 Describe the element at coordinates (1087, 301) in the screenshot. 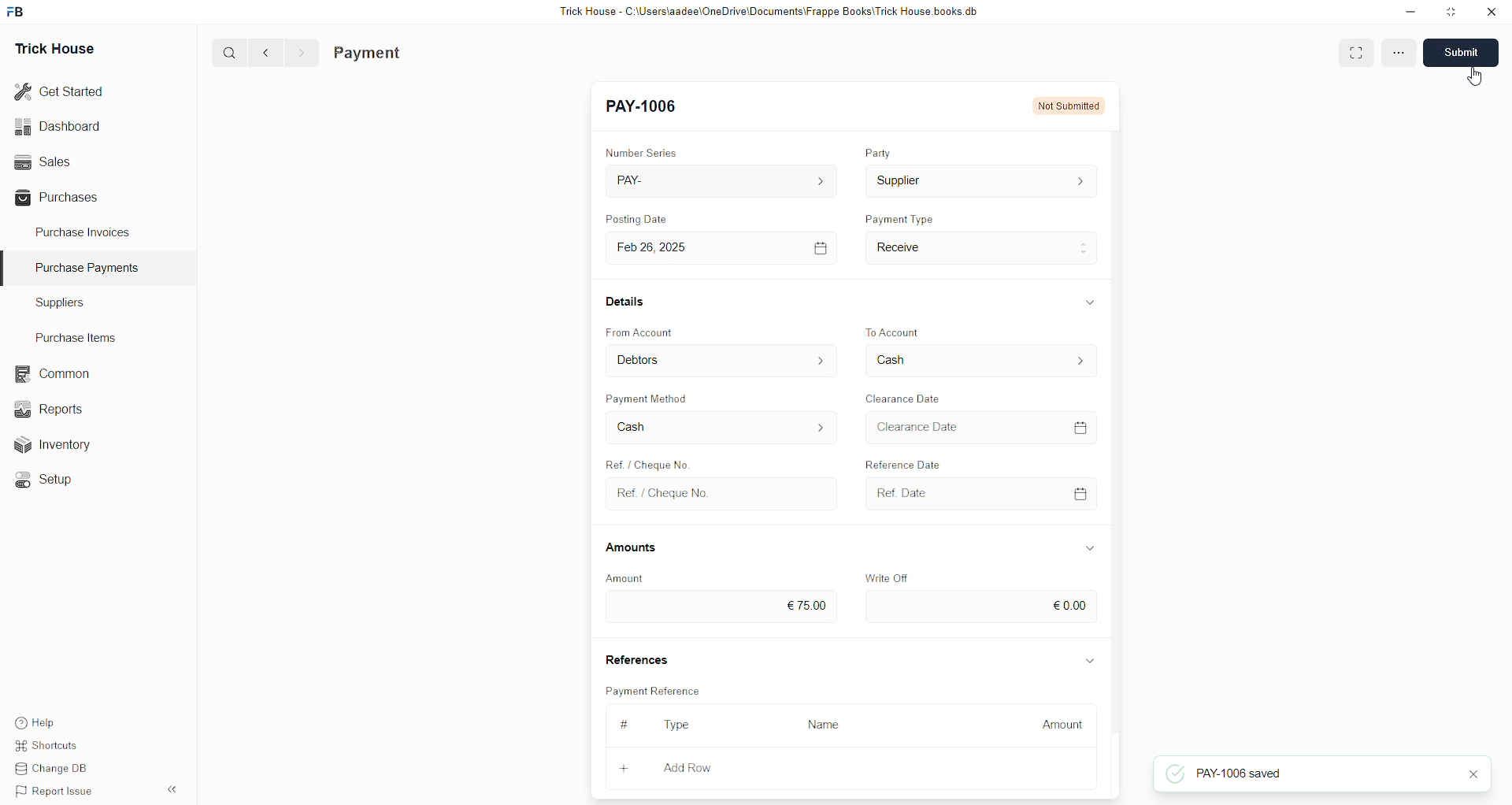

I see `expand` at that location.